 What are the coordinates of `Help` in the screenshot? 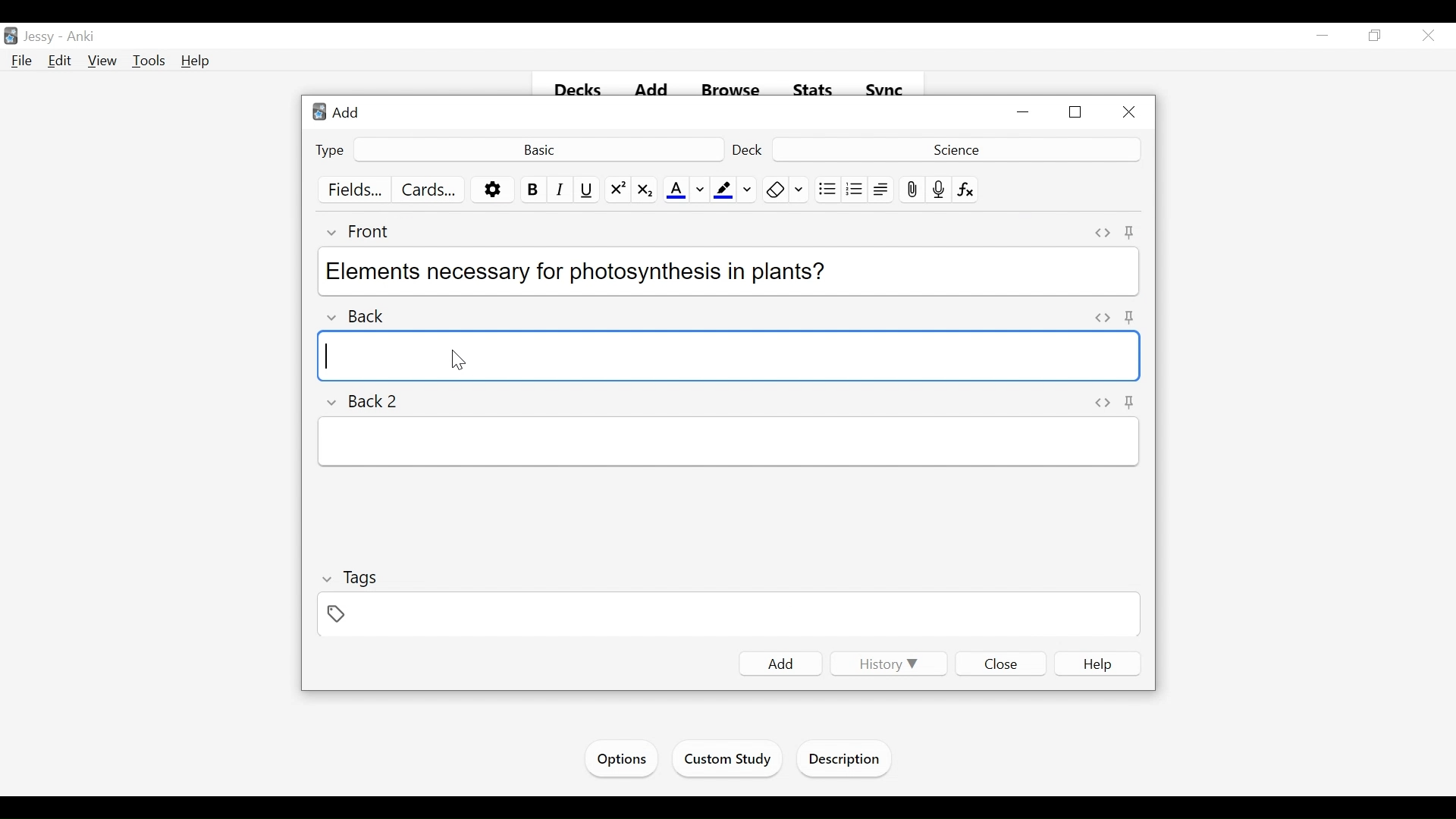 It's located at (1098, 664).